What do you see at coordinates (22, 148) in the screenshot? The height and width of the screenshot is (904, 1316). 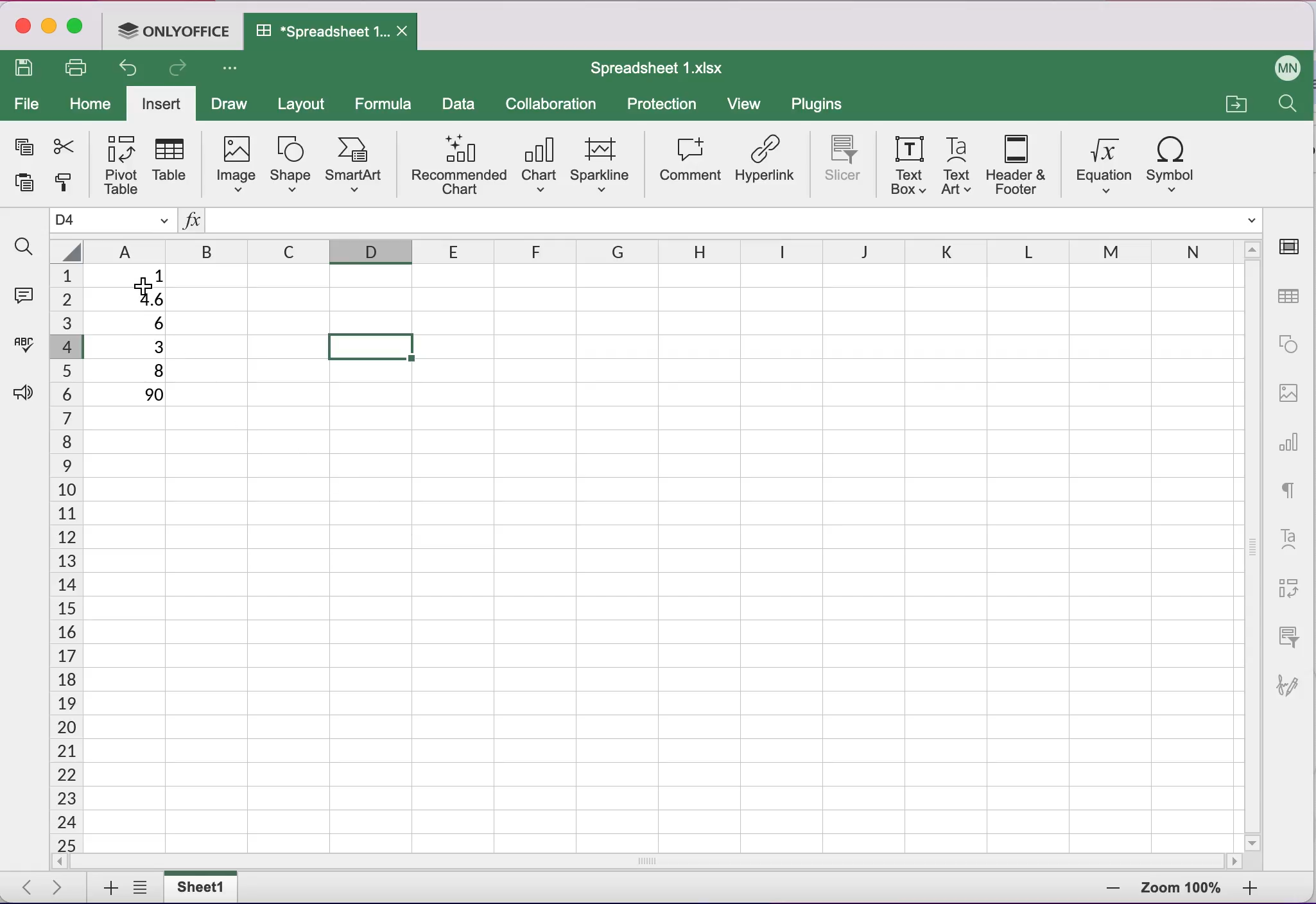 I see `copy` at bounding box center [22, 148].